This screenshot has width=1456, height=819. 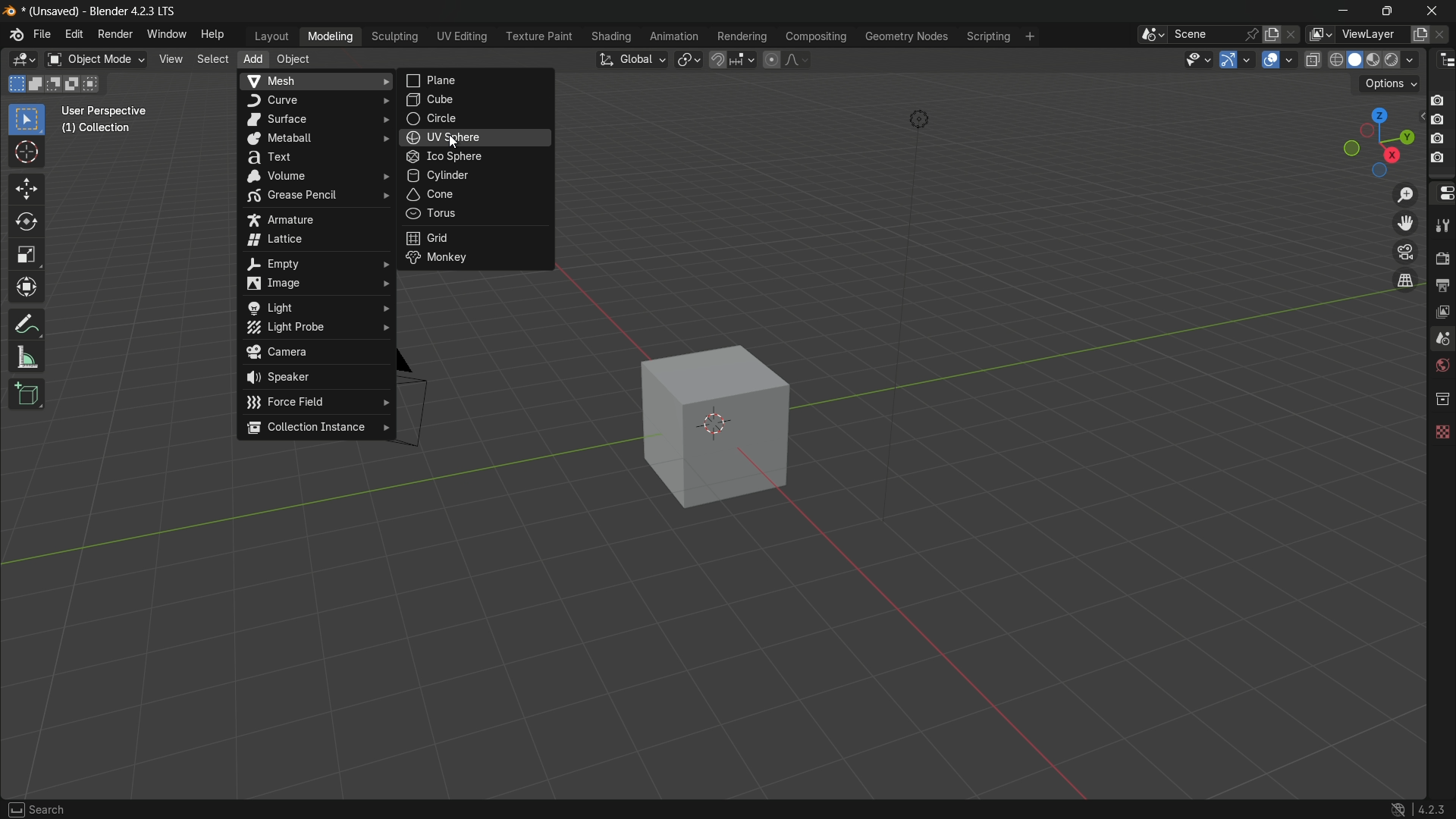 What do you see at coordinates (1442, 284) in the screenshot?
I see `output` at bounding box center [1442, 284].